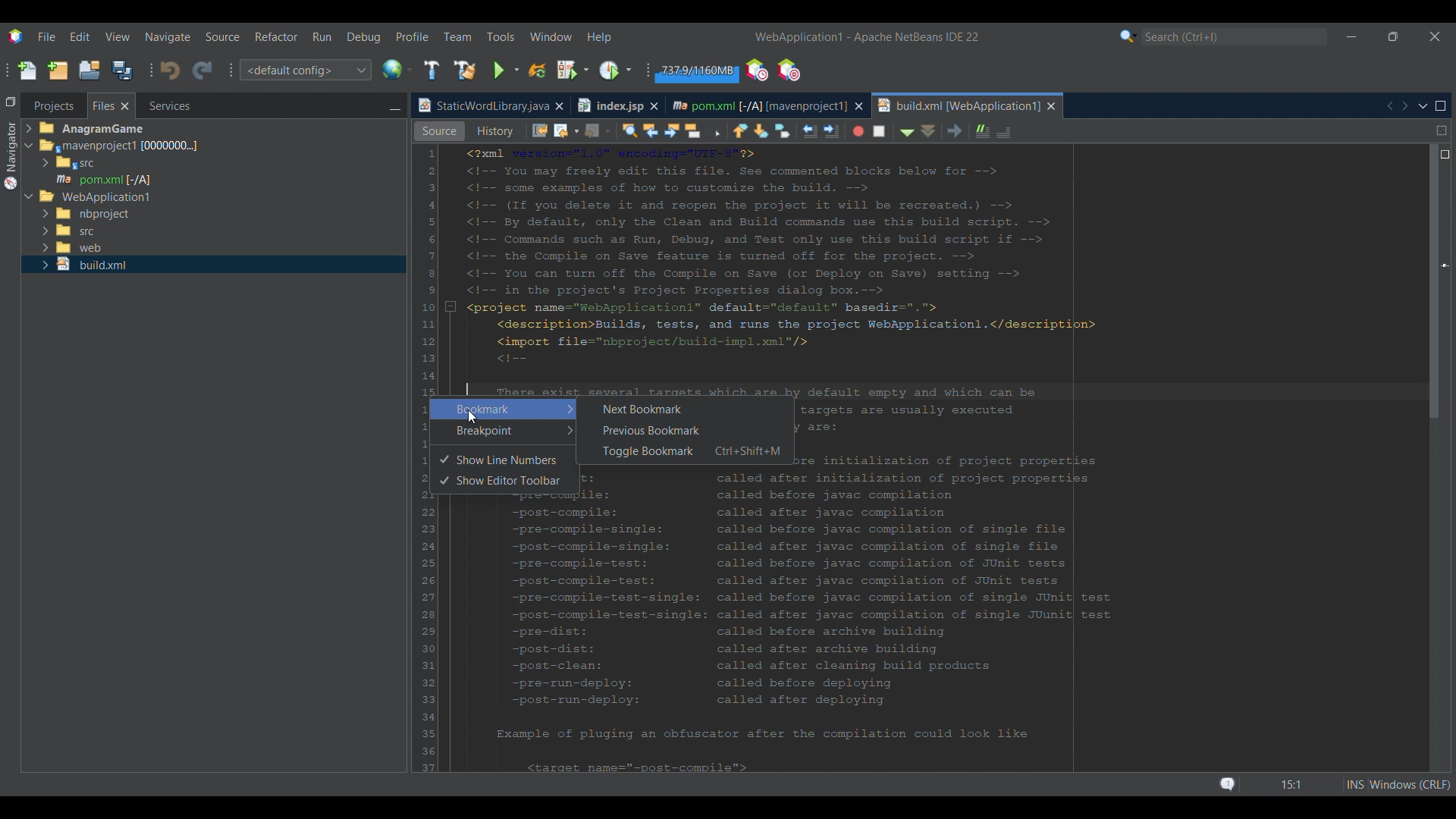 This screenshot has height=819, width=1456. What do you see at coordinates (573, 70) in the screenshot?
I see `Debug main project` at bounding box center [573, 70].